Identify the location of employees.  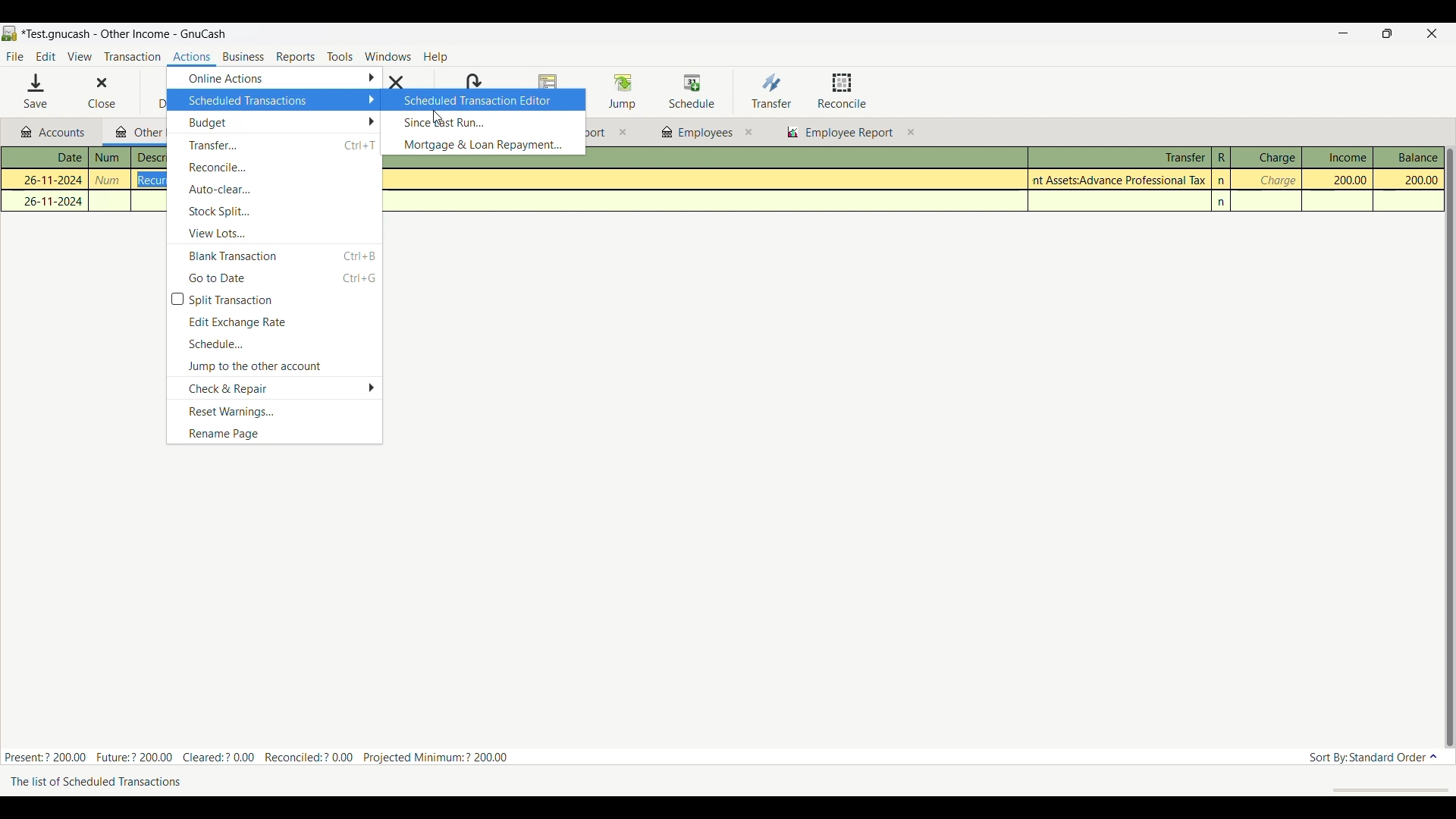
(695, 133).